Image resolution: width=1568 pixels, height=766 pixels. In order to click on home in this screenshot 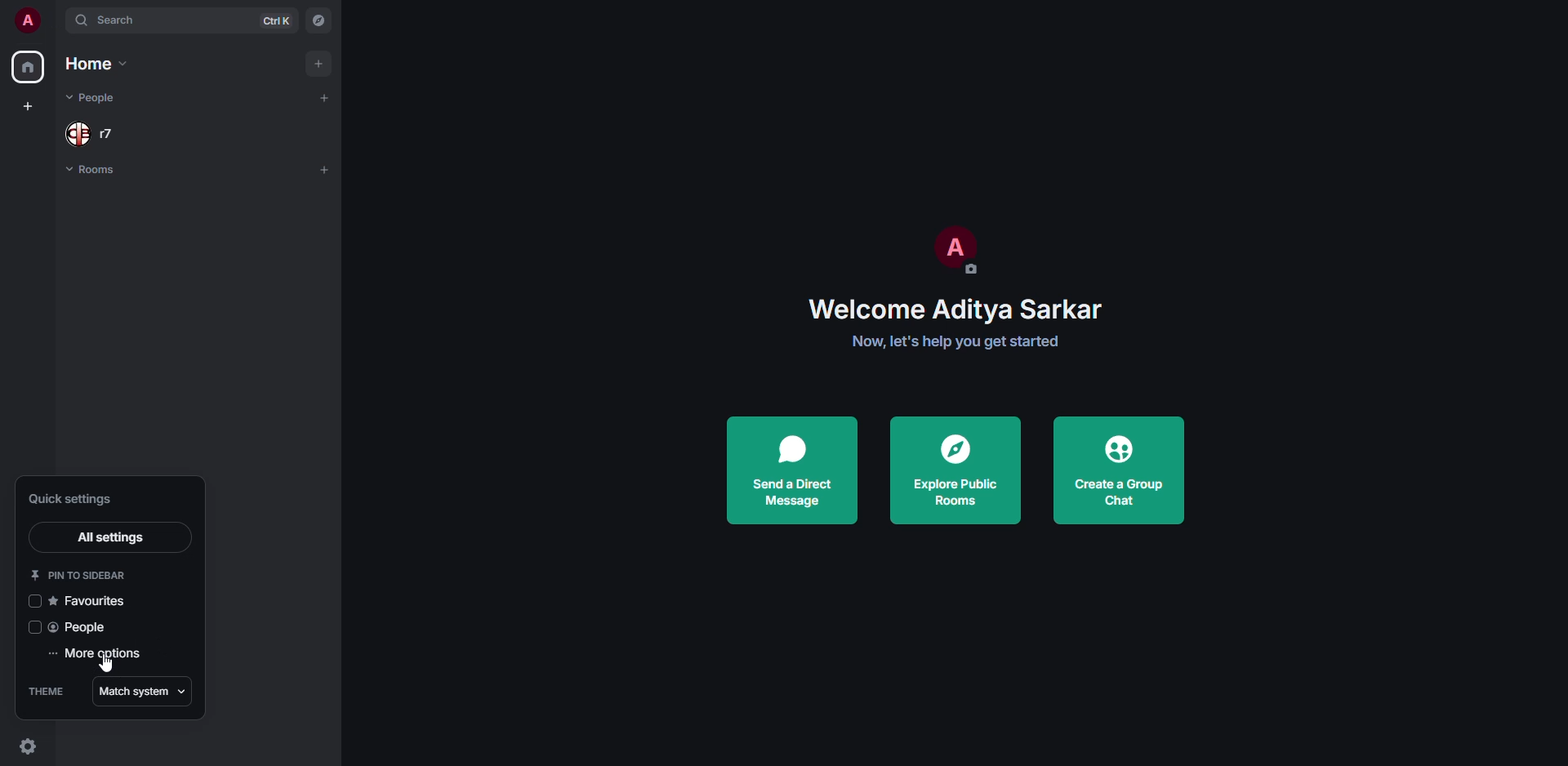, I will do `click(29, 67)`.